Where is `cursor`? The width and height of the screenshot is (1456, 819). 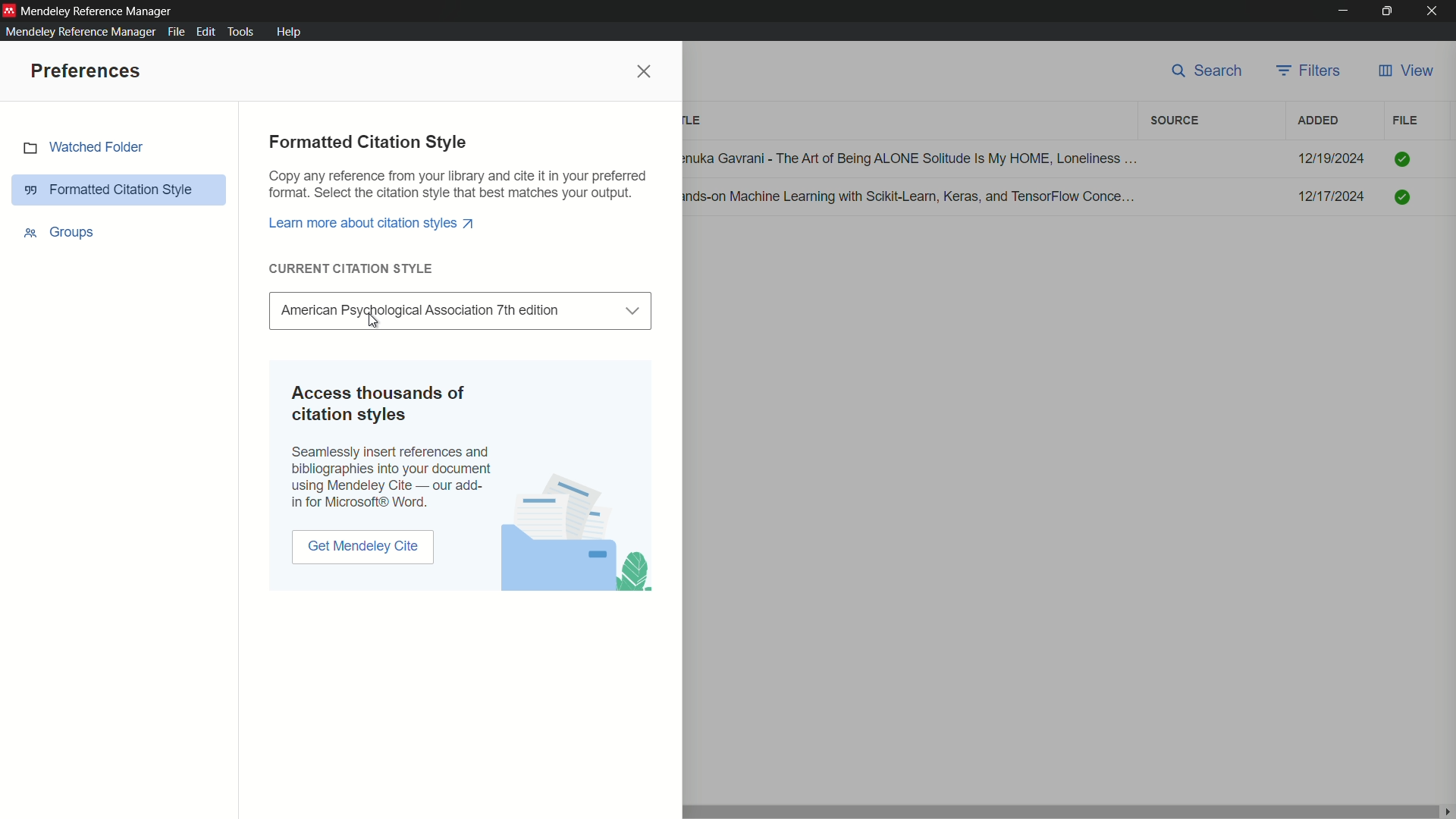 cursor is located at coordinates (374, 319).